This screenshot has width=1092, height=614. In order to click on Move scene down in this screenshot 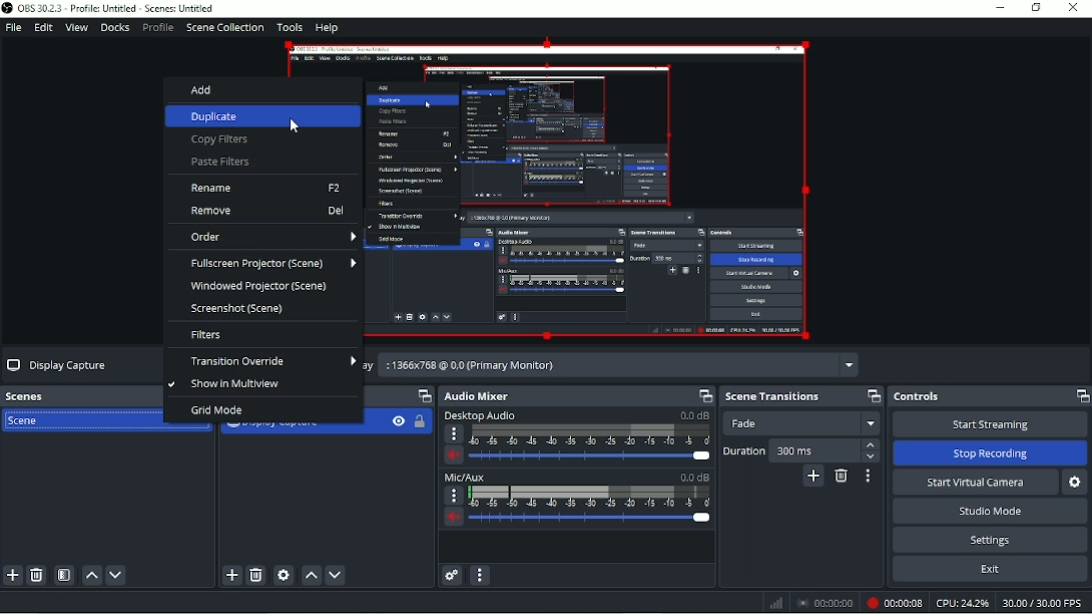, I will do `click(117, 575)`.